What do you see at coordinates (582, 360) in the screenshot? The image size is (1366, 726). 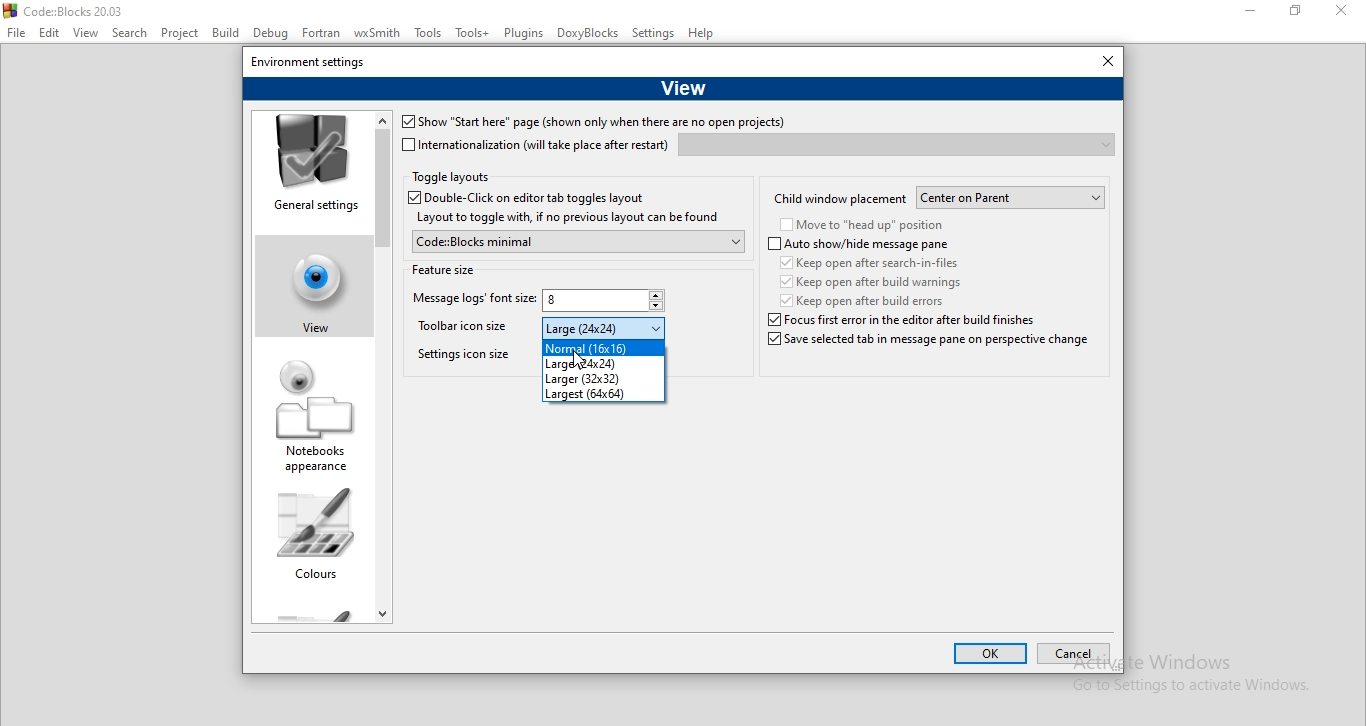 I see `cursor on Normal(16x 16)` at bounding box center [582, 360].